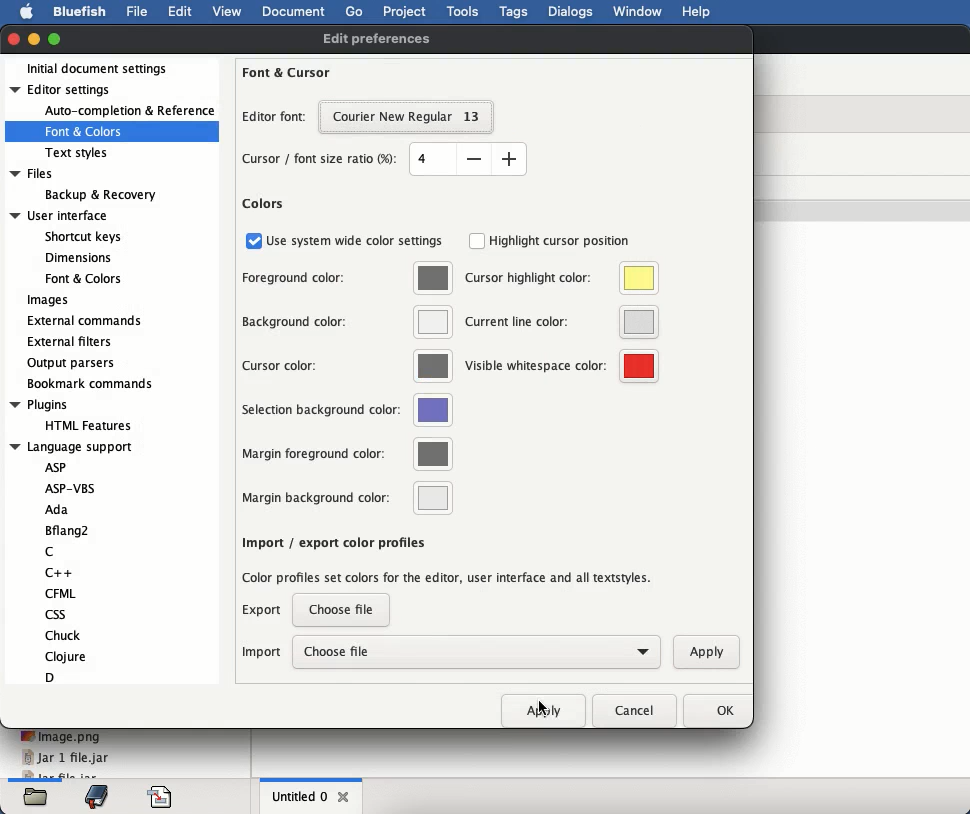 The height and width of the screenshot is (814, 970). Describe the element at coordinates (713, 712) in the screenshot. I see `ok` at that location.